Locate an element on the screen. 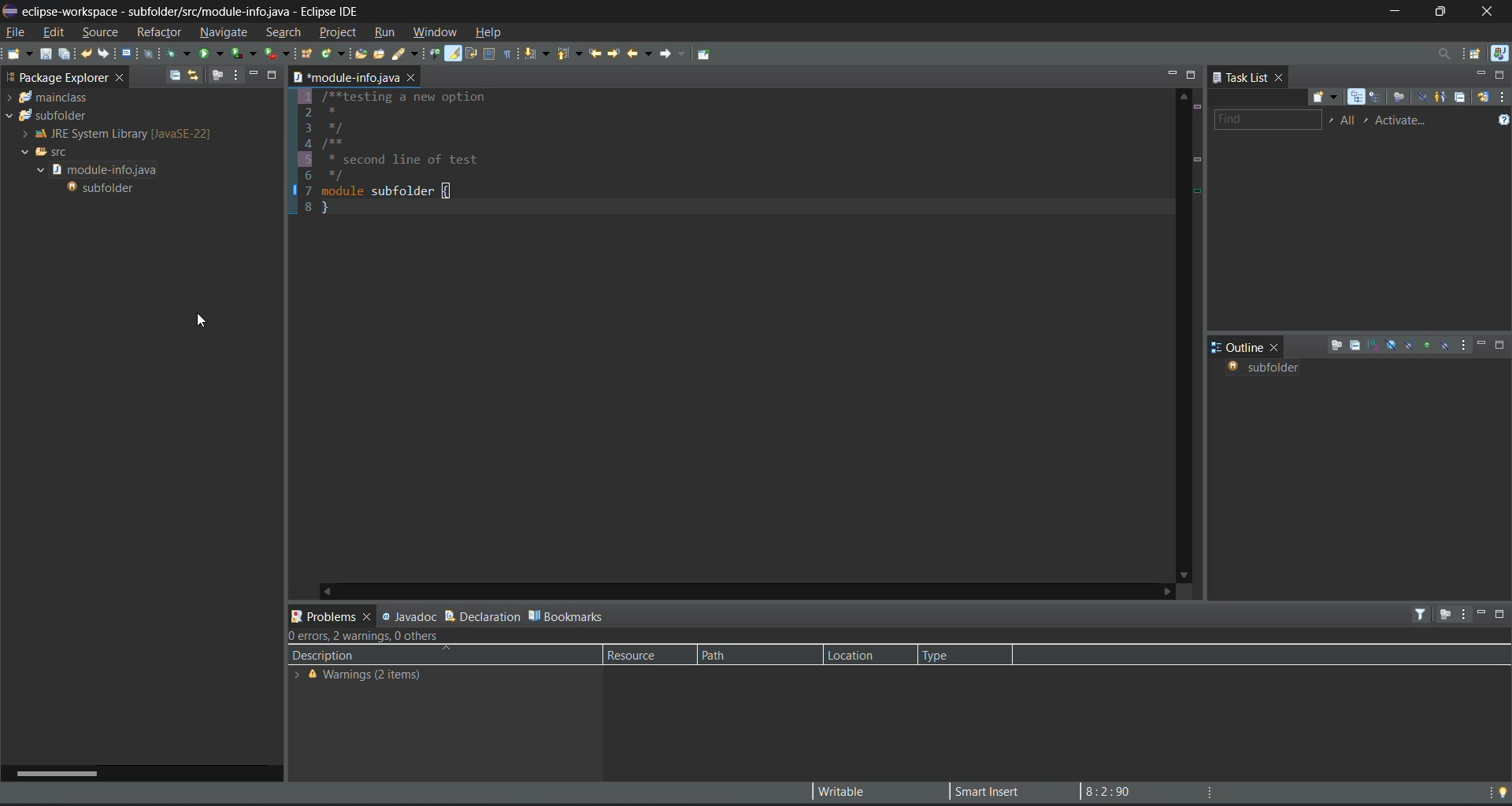 The width and height of the screenshot is (1512, 806). maximize is located at coordinates (1192, 75).